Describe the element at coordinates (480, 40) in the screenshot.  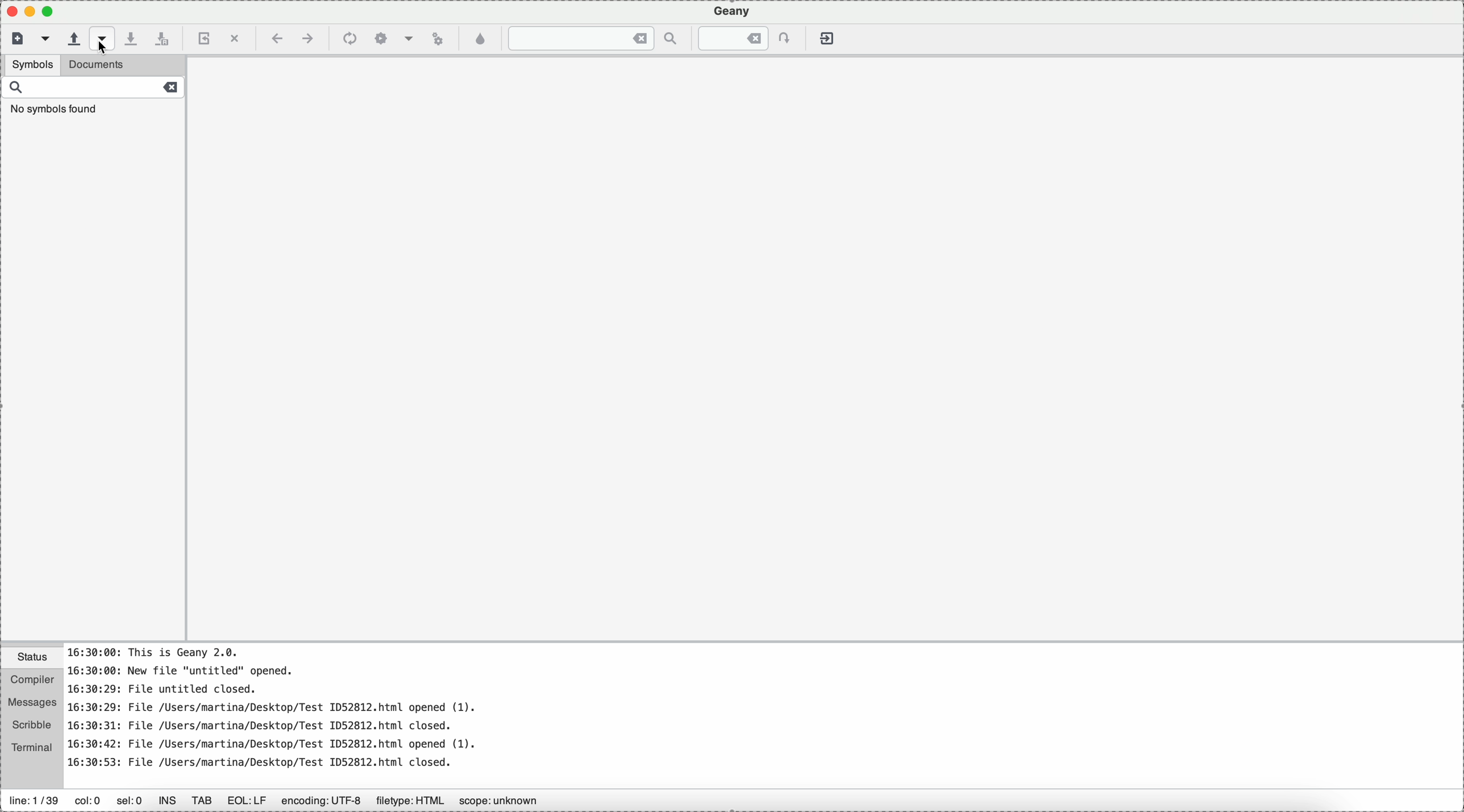
I see `choose color` at that location.